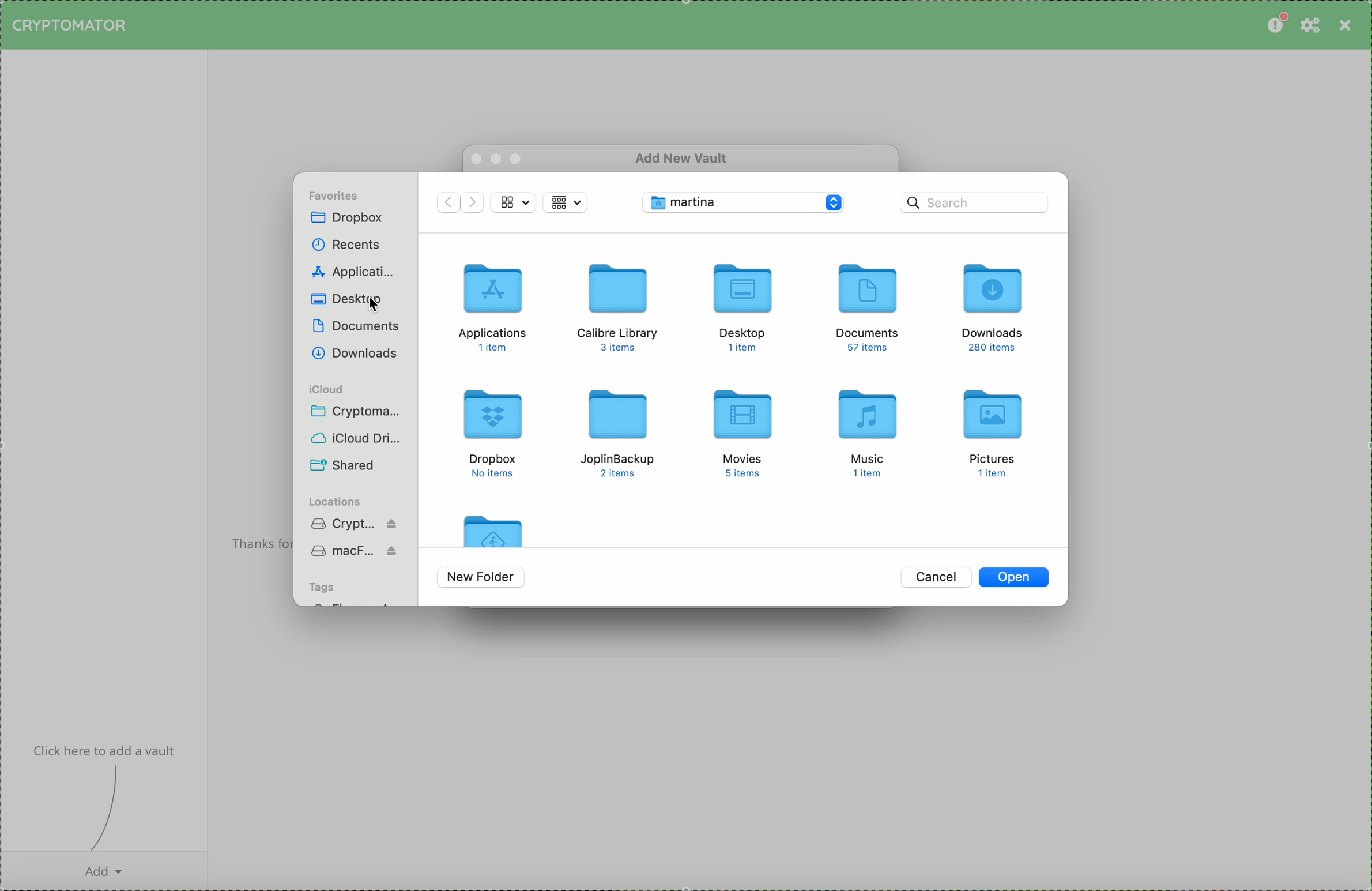 The image size is (1372, 891). I want to click on add, so click(123, 870).